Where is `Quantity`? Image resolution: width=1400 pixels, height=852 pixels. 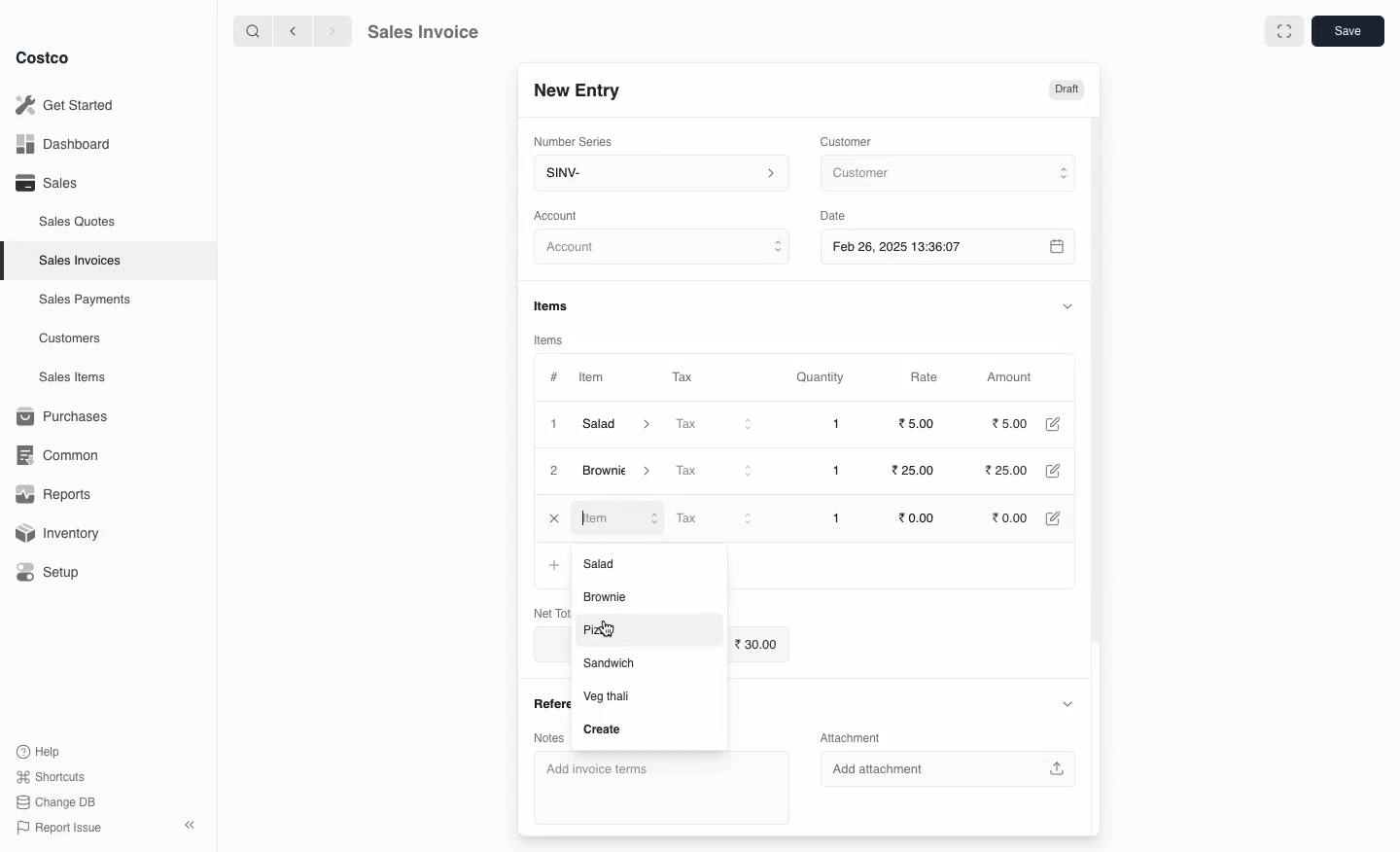 Quantity is located at coordinates (819, 378).